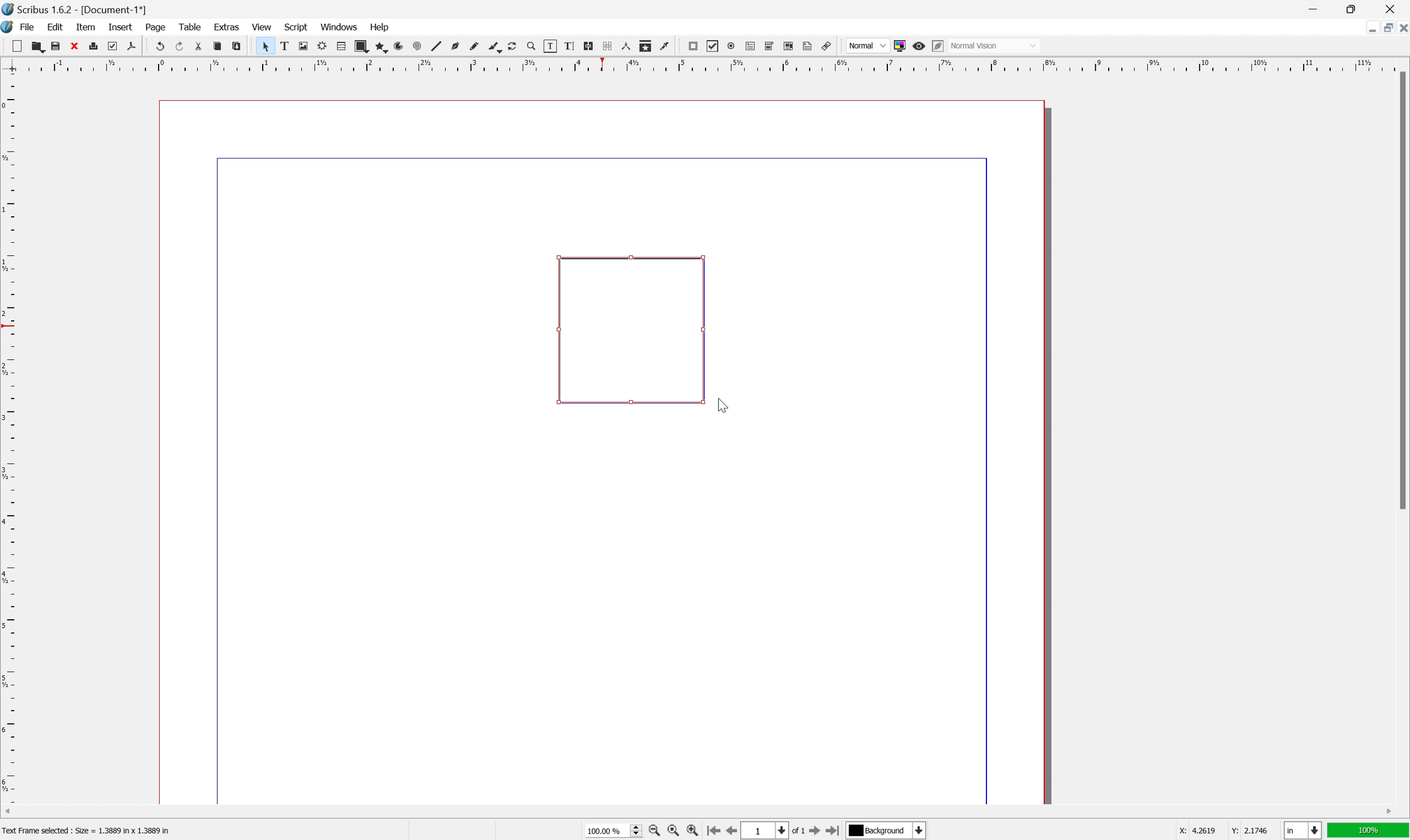 The height and width of the screenshot is (840, 1410). Describe the element at coordinates (9, 438) in the screenshot. I see `ruler` at that location.